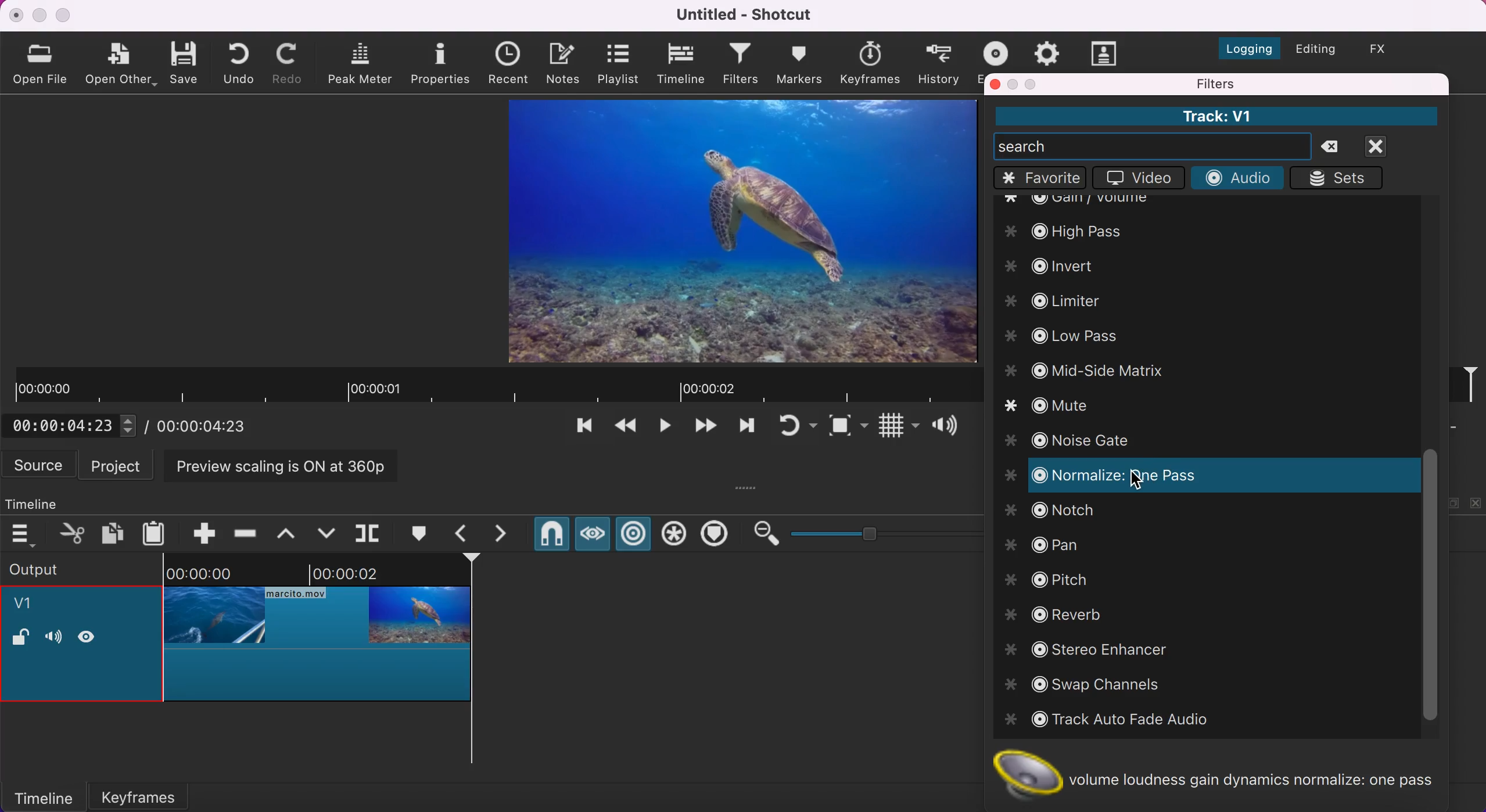  I want to click on total duration, so click(208, 426).